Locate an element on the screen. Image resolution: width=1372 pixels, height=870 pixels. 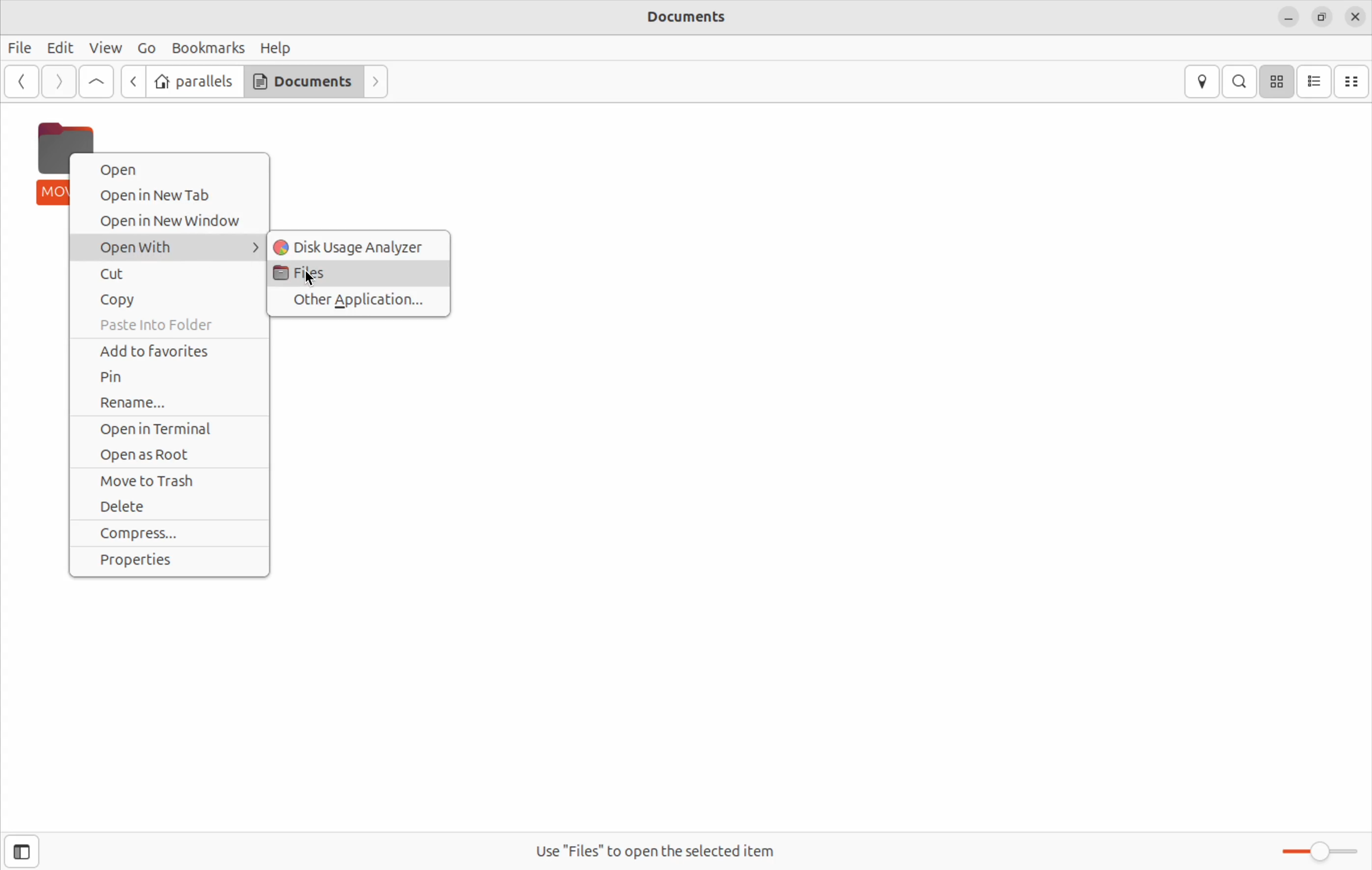
Bookmarks is located at coordinates (208, 48).